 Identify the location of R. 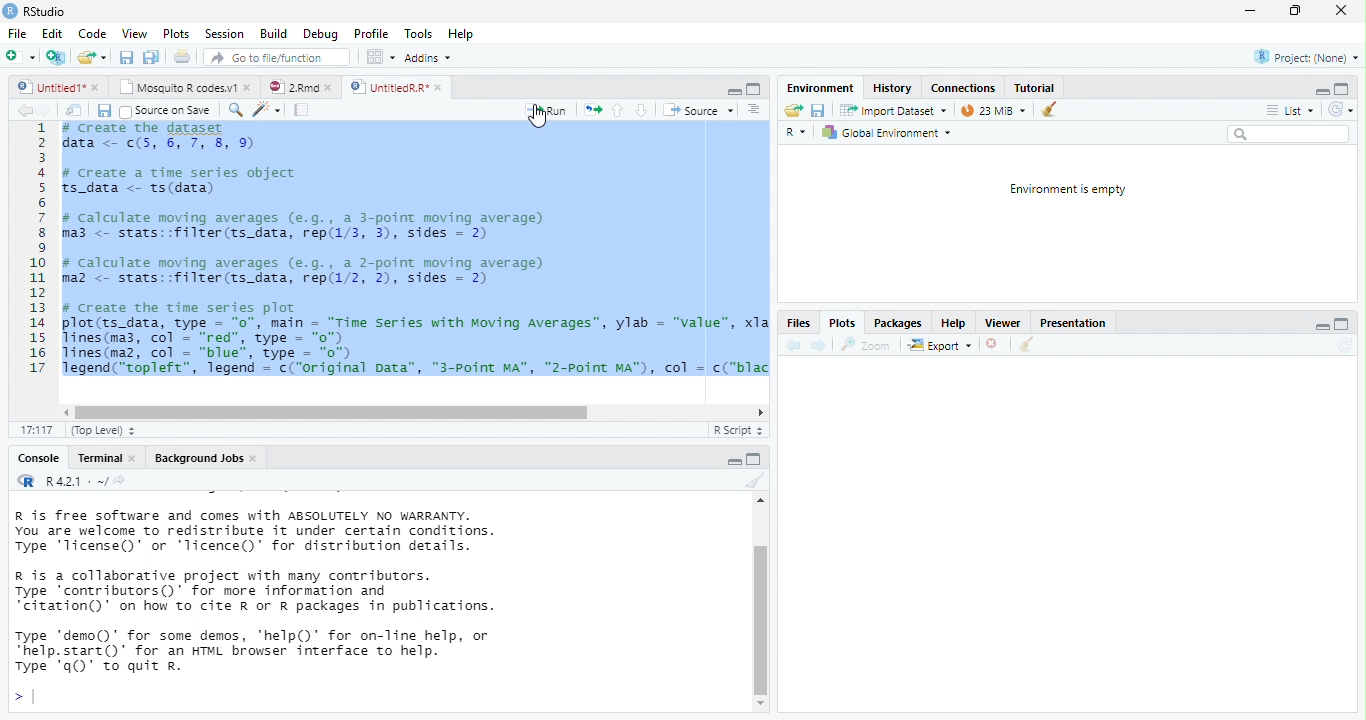
(24, 480).